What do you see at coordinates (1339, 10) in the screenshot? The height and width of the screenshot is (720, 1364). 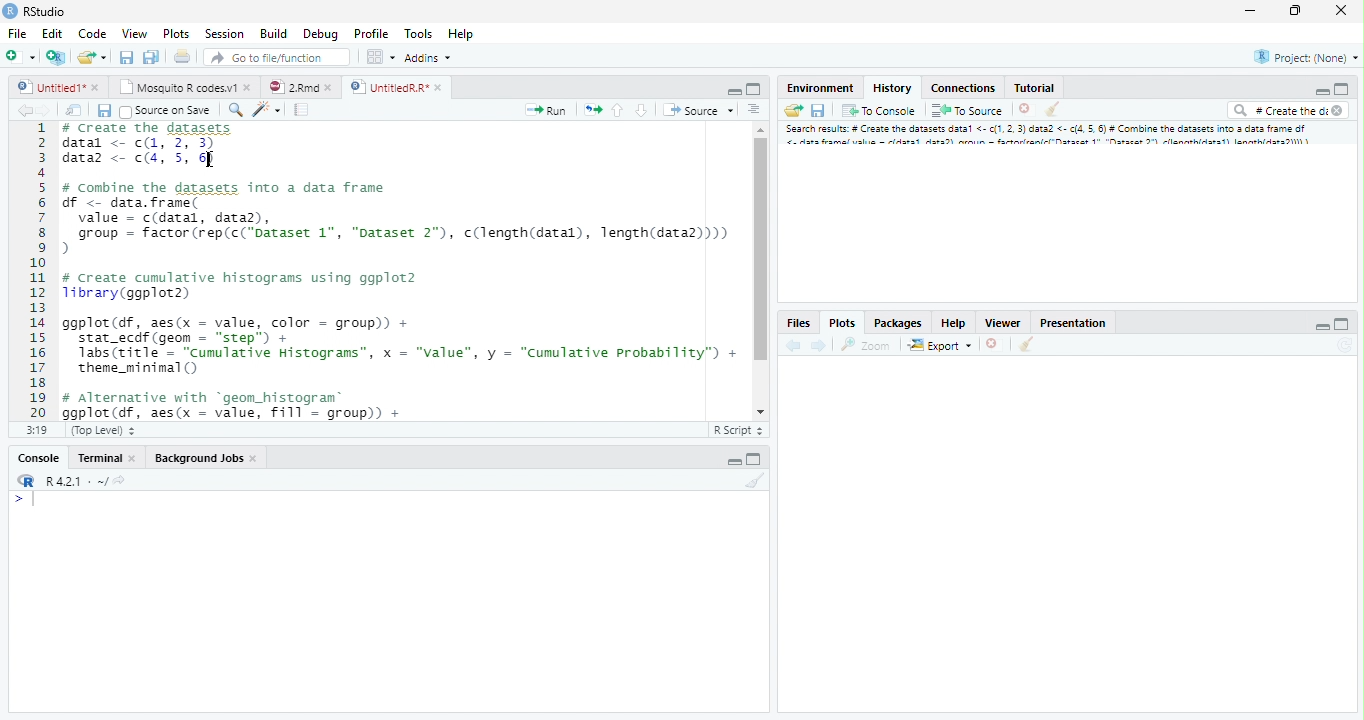 I see `Close` at bounding box center [1339, 10].